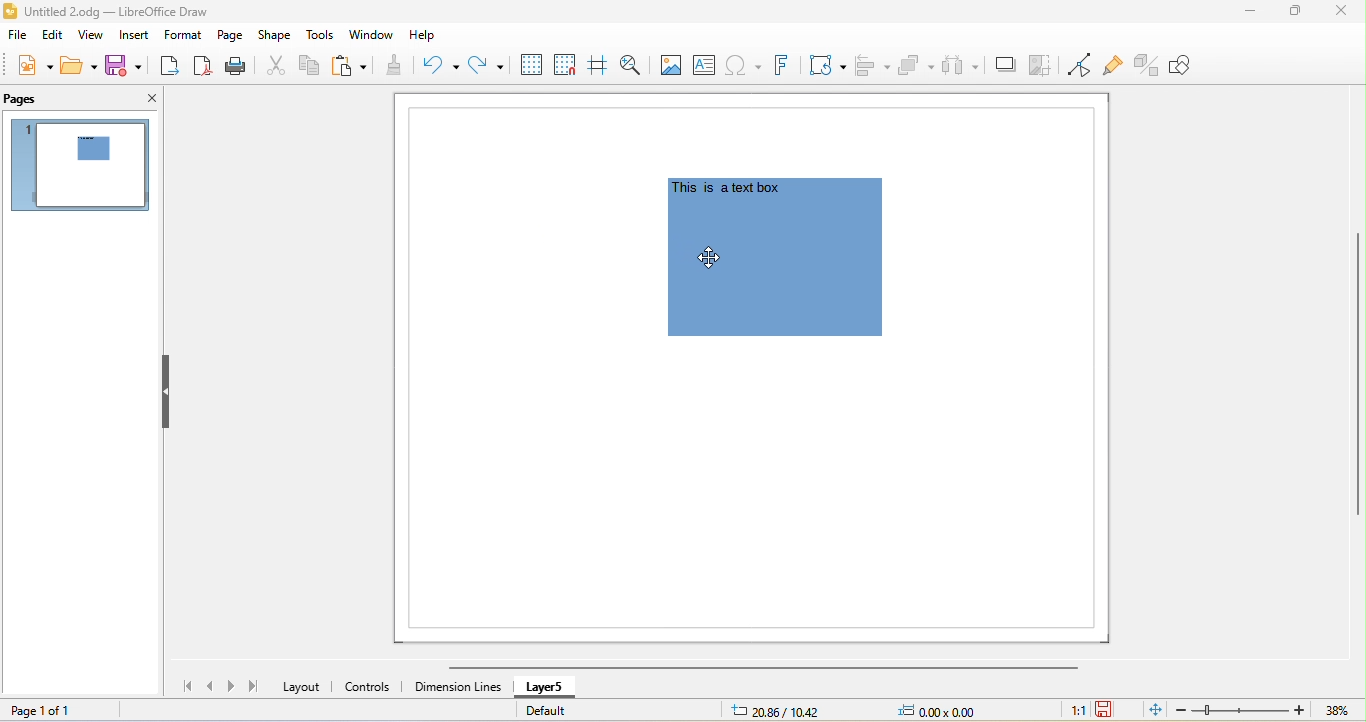 Image resolution: width=1366 pixels, height=722 pixels. Describe the element at coordinates (602, 65) in the screenshot. I see `helpline while moving` at that location.